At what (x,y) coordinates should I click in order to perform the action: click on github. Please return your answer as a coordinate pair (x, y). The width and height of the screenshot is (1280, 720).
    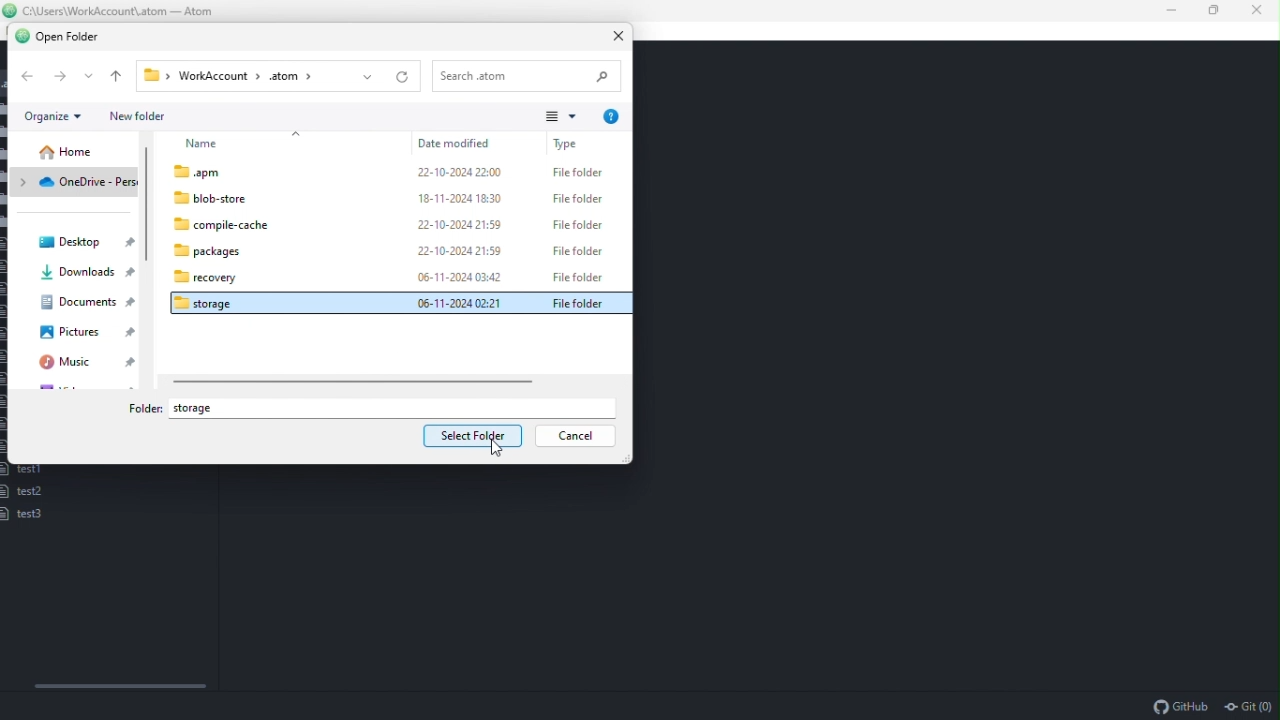
    Looking at the image, I should click on (1180, 706).